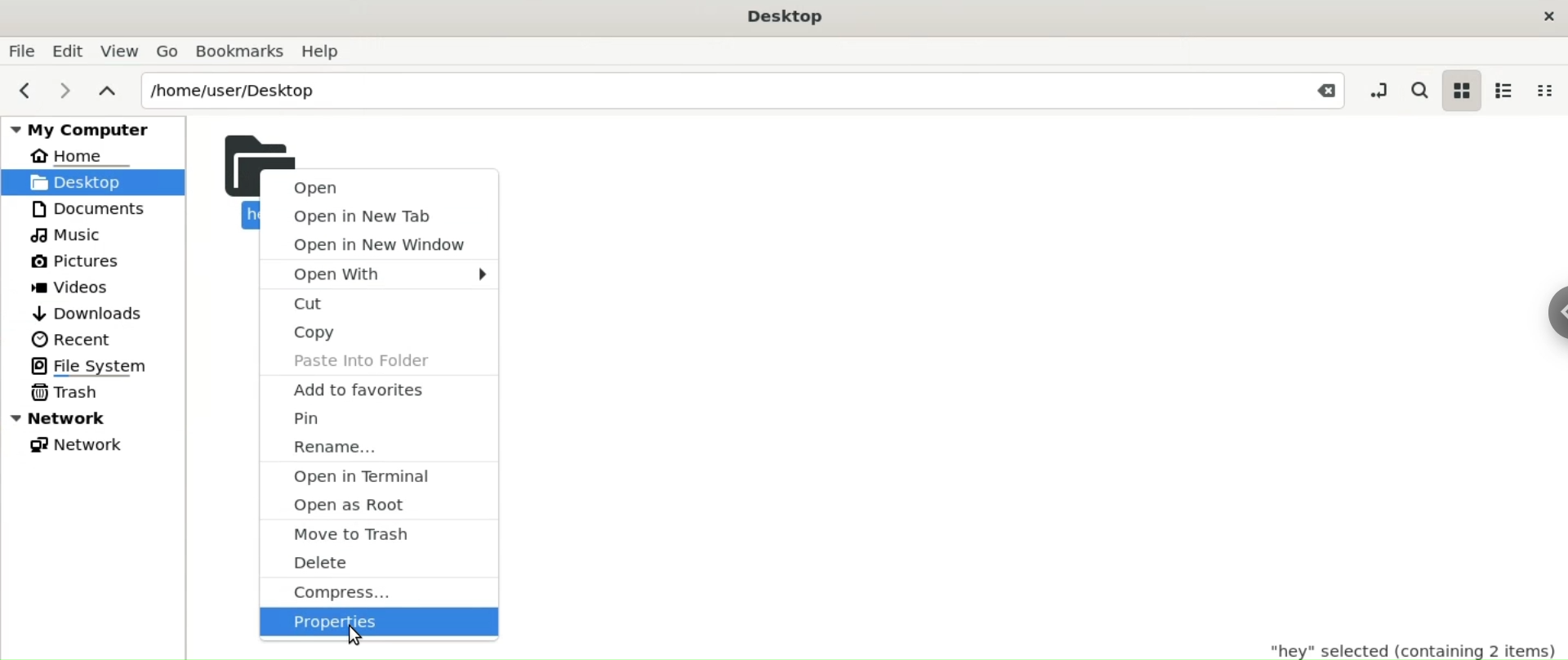 The image size is (1568, 660). I want to click on add to favourites, so click(379, 389).